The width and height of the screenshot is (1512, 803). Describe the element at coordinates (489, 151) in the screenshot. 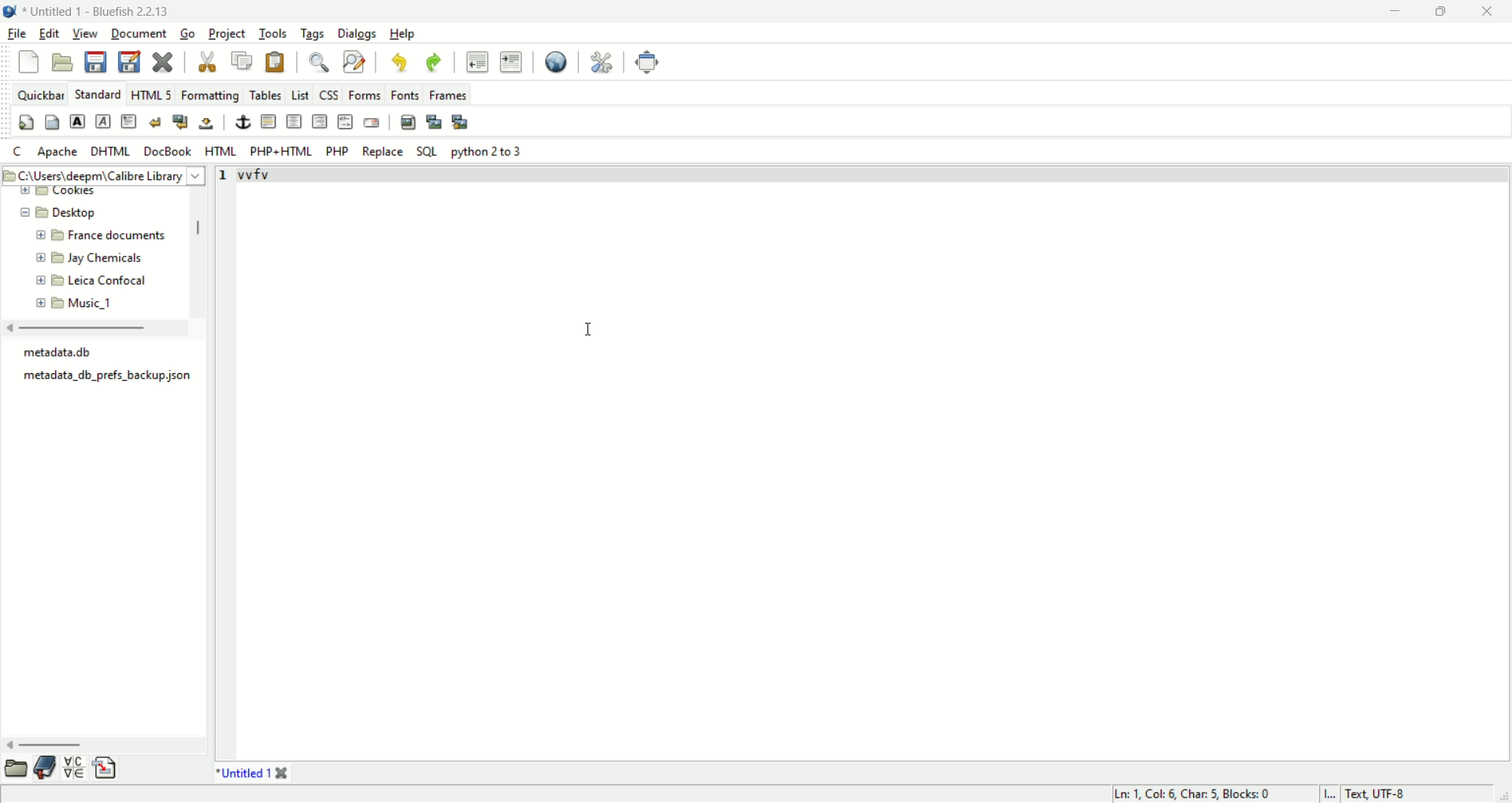

I see `python 2 to` at that location.